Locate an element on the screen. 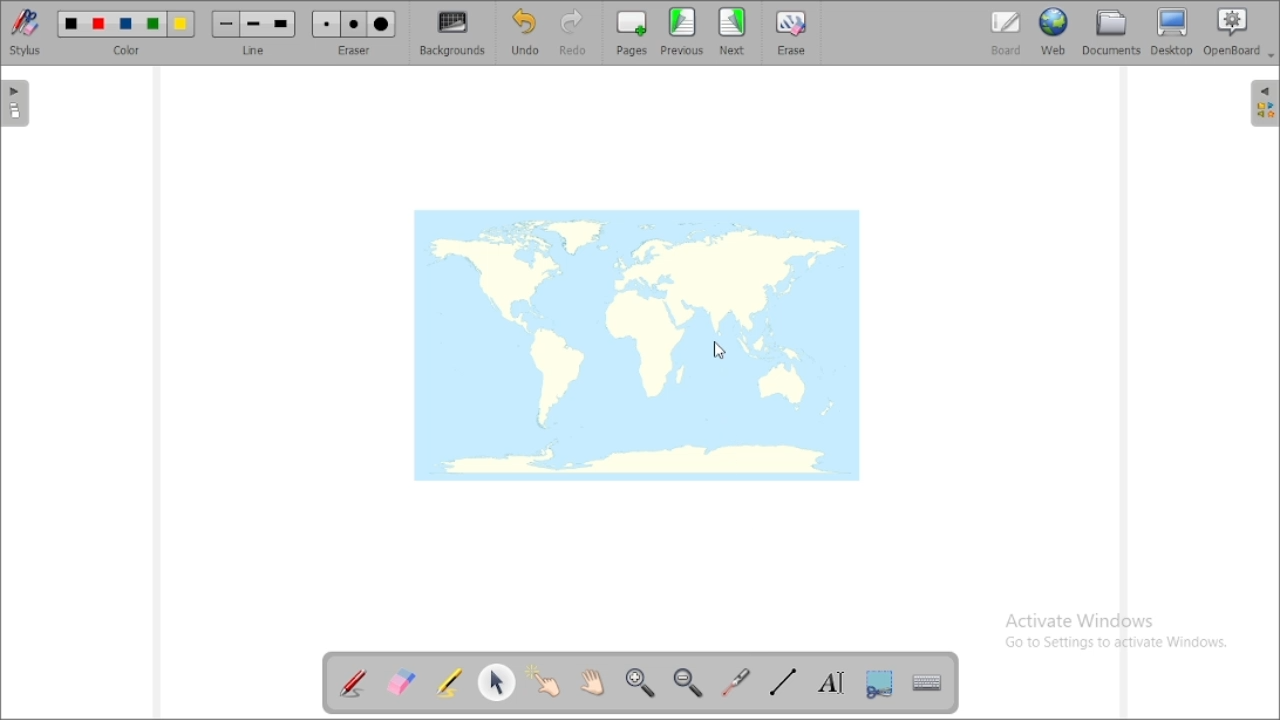 The width and height of the screenshot is (1280, 720). annotate document is located at coordinates (354, 685).